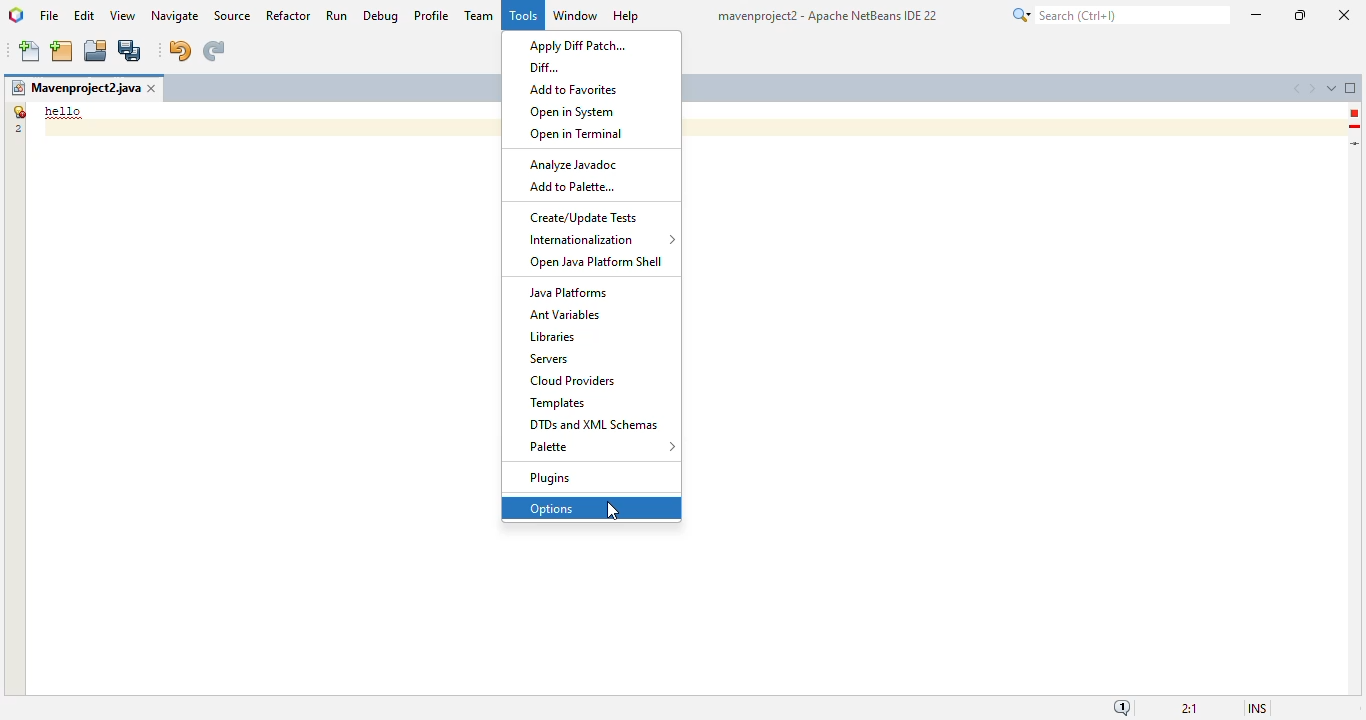  Describe the element at coordinates (1299, 15) in the screenshot. I see `maximize` at that location.